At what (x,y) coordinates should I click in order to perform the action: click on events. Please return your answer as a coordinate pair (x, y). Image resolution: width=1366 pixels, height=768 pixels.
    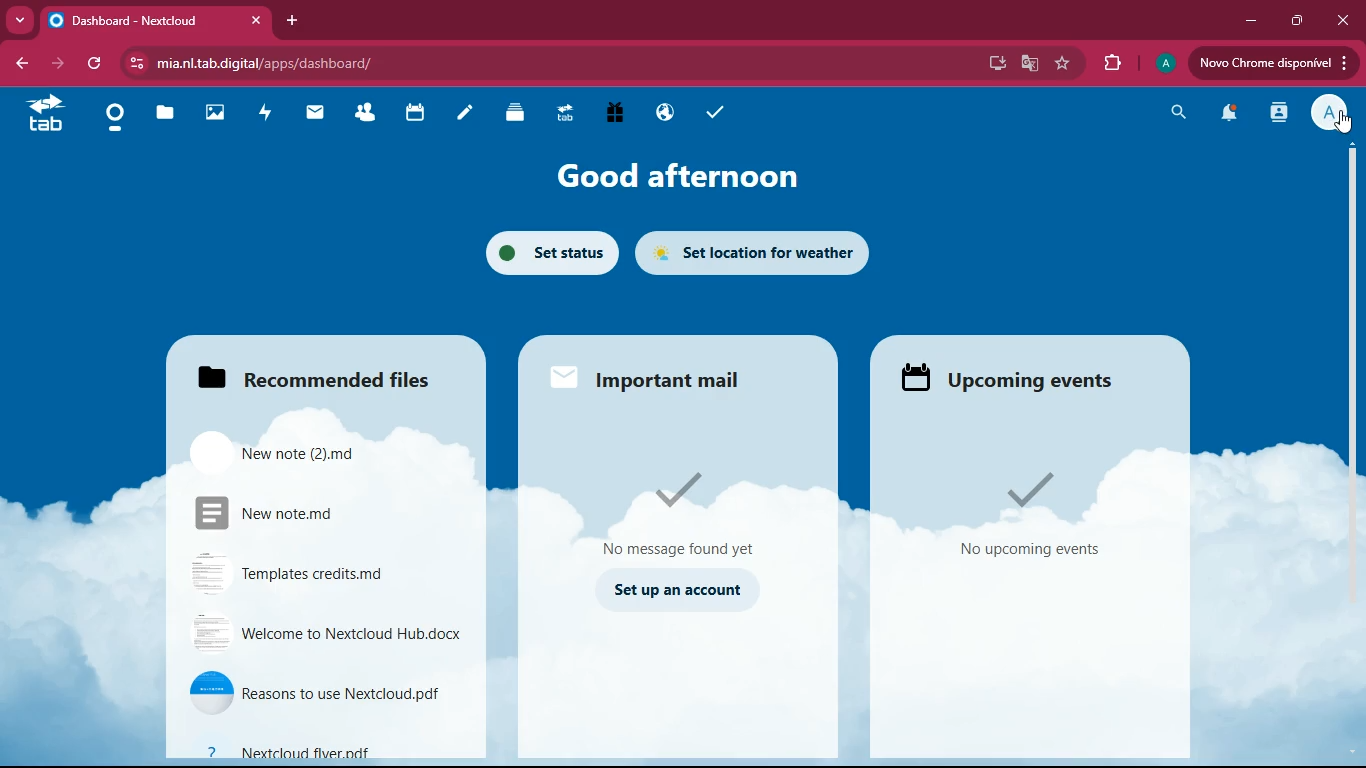
    Looking at the image, I should click on (1033, 514).